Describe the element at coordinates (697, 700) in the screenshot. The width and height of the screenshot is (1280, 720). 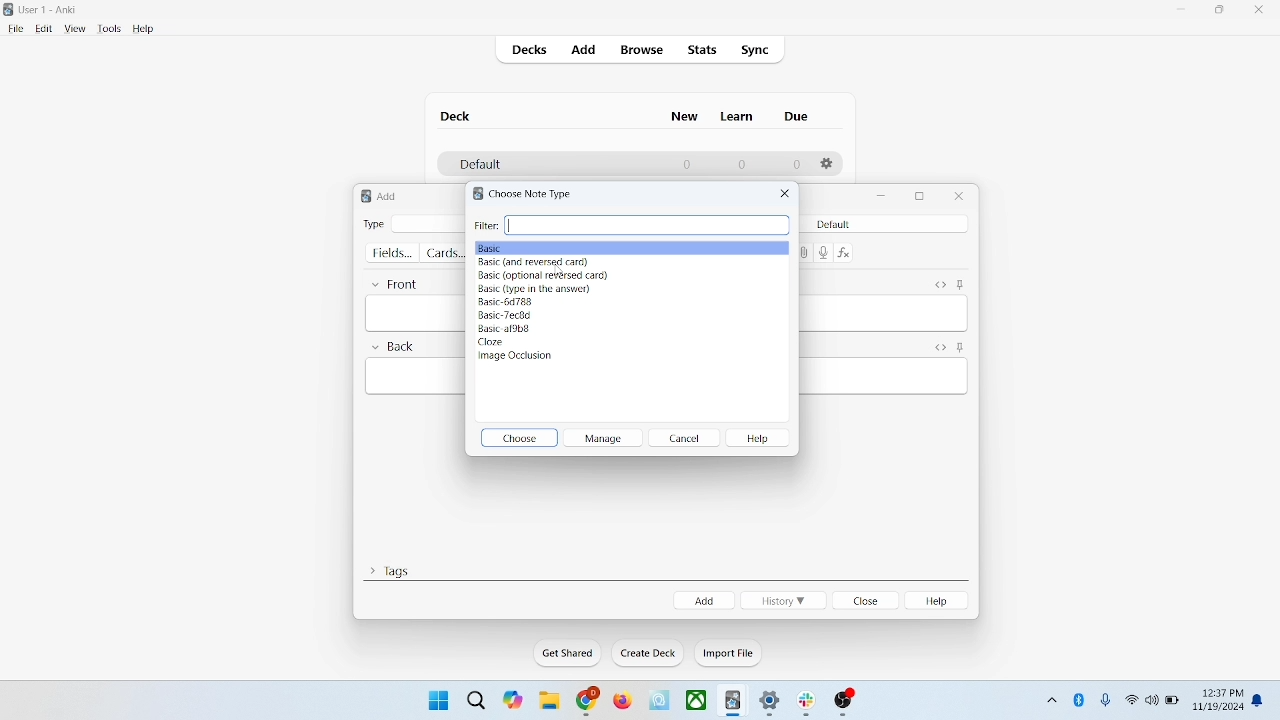
I see `x-box` at that location.